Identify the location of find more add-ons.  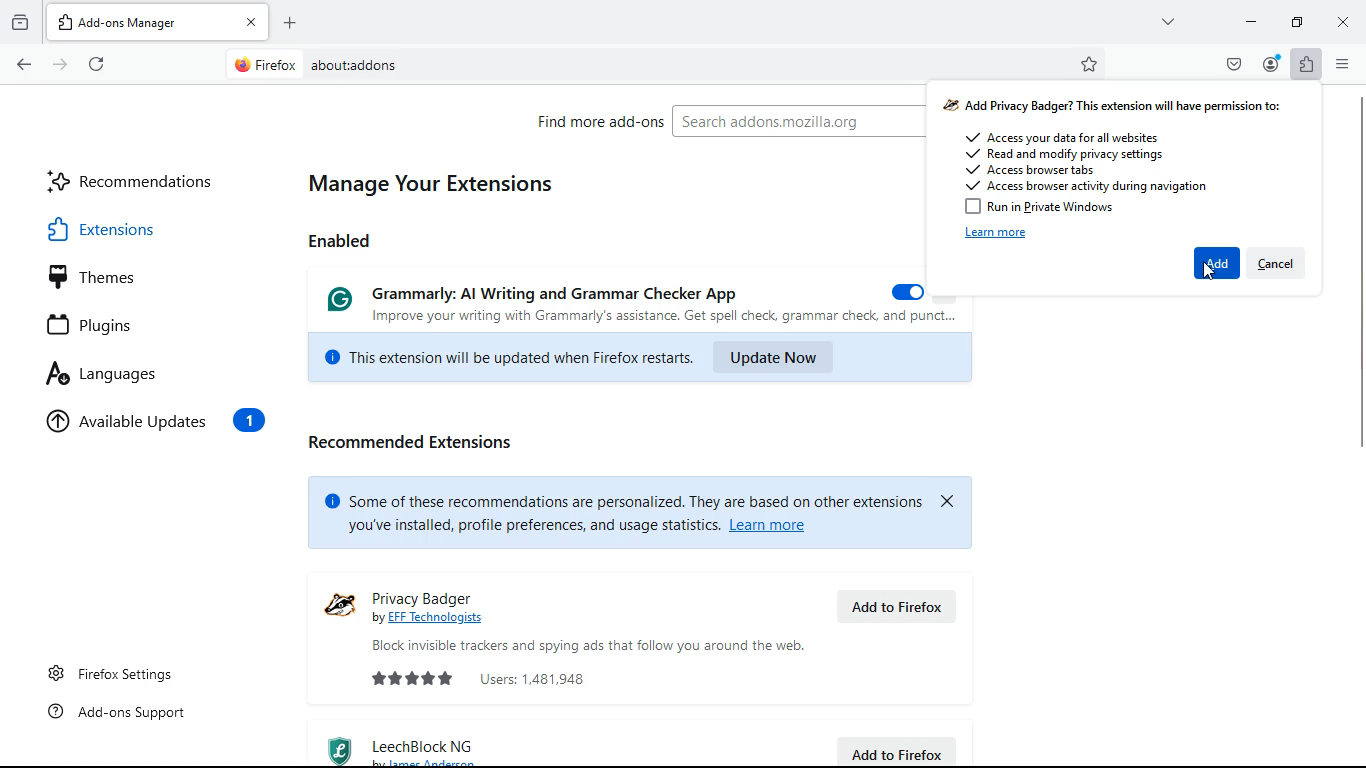
(597, 126).